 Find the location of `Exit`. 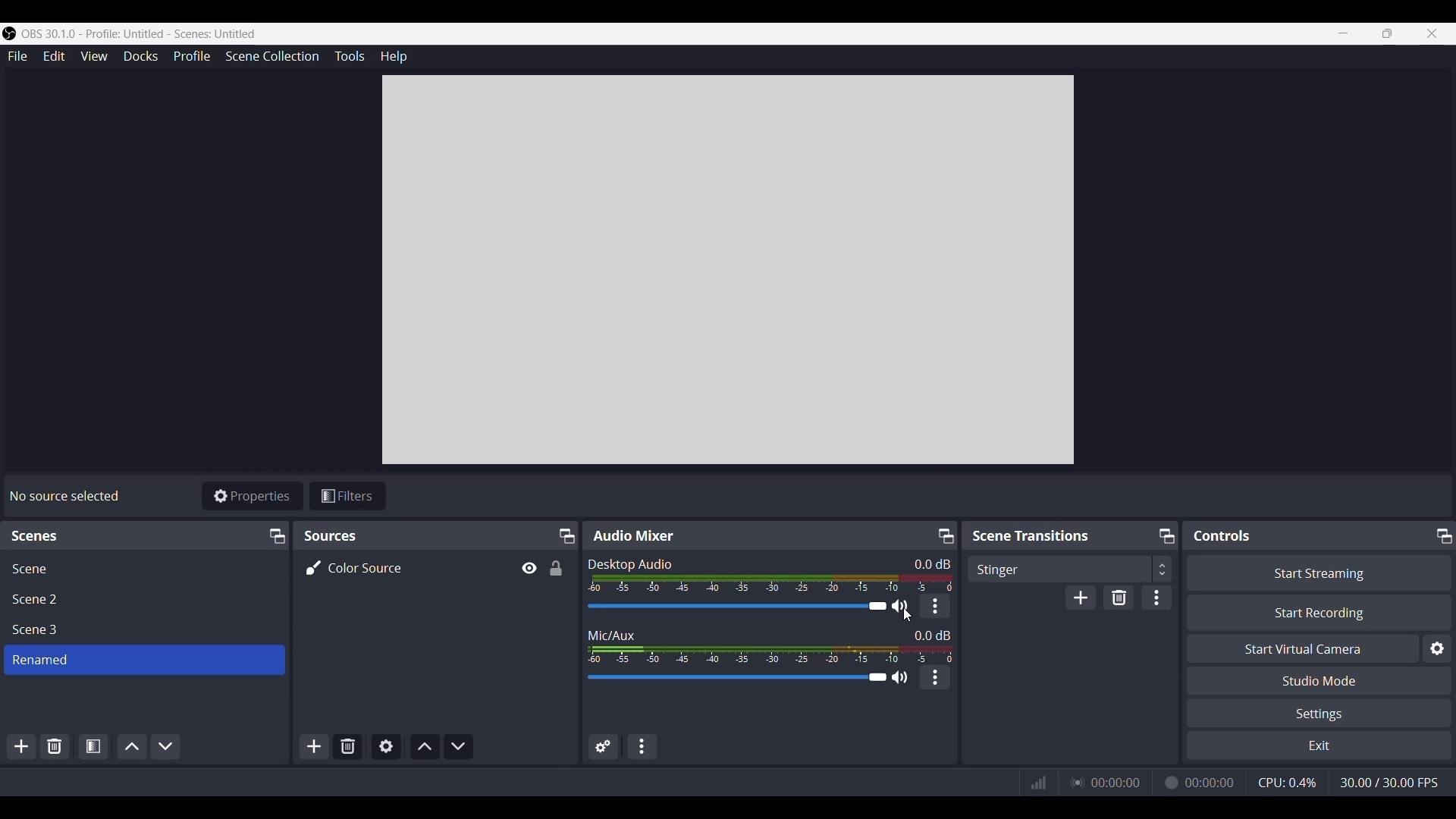

Exit is located at coordinates (1319, 745).